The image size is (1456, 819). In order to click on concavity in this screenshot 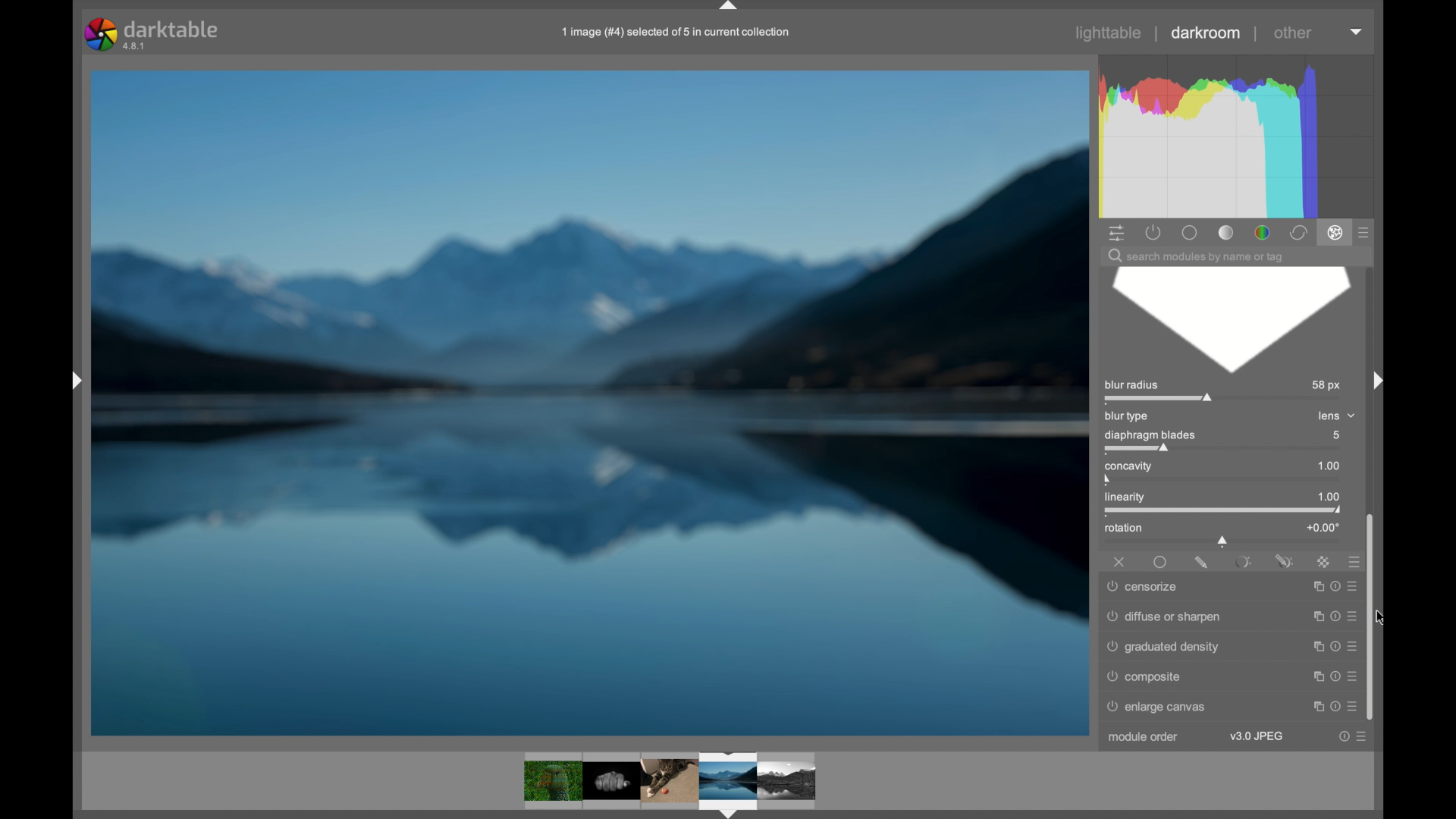, I will do `click(1132, 471)`.